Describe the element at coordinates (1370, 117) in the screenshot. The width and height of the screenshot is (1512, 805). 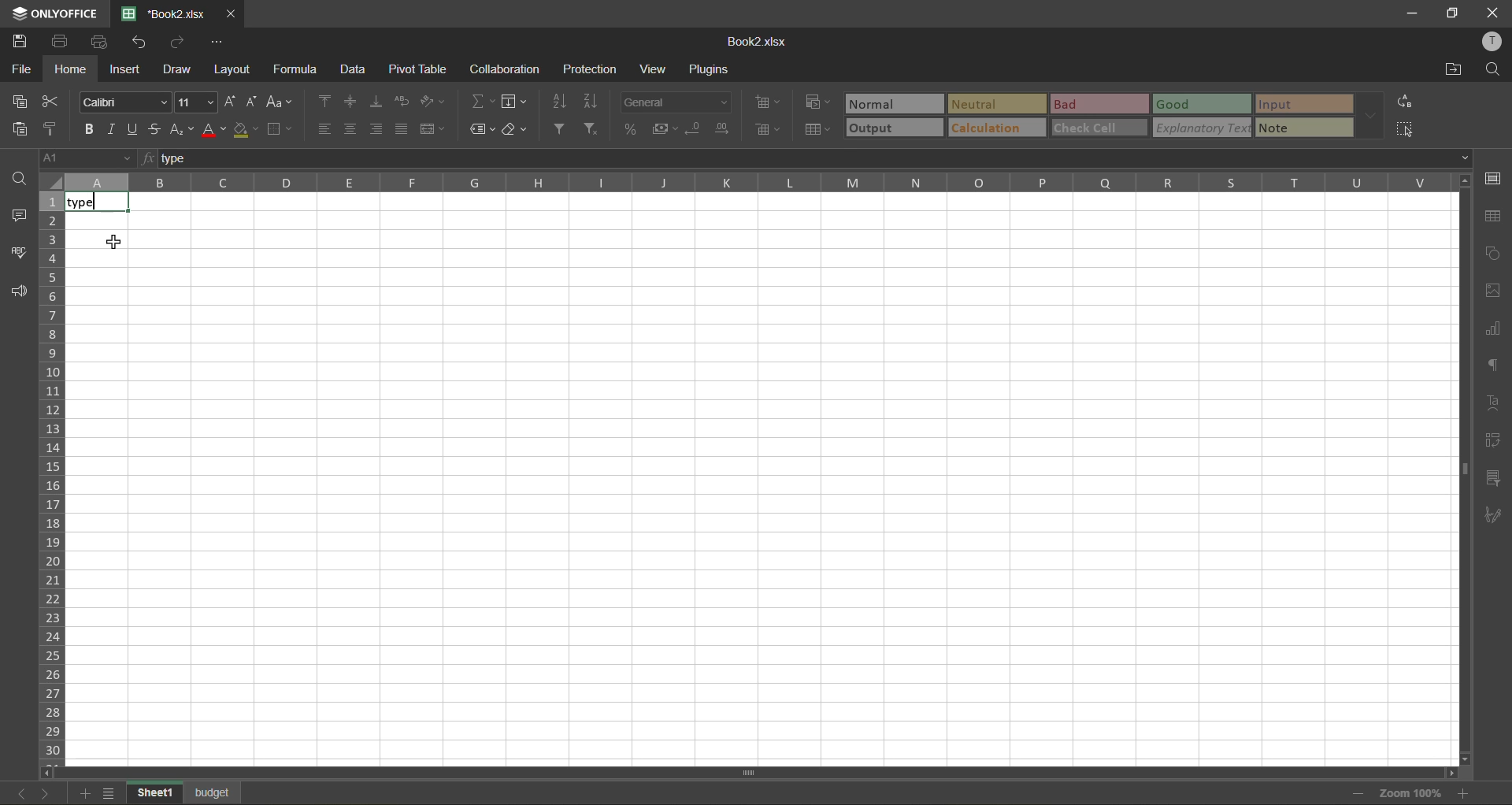
I see `more options` at that location.